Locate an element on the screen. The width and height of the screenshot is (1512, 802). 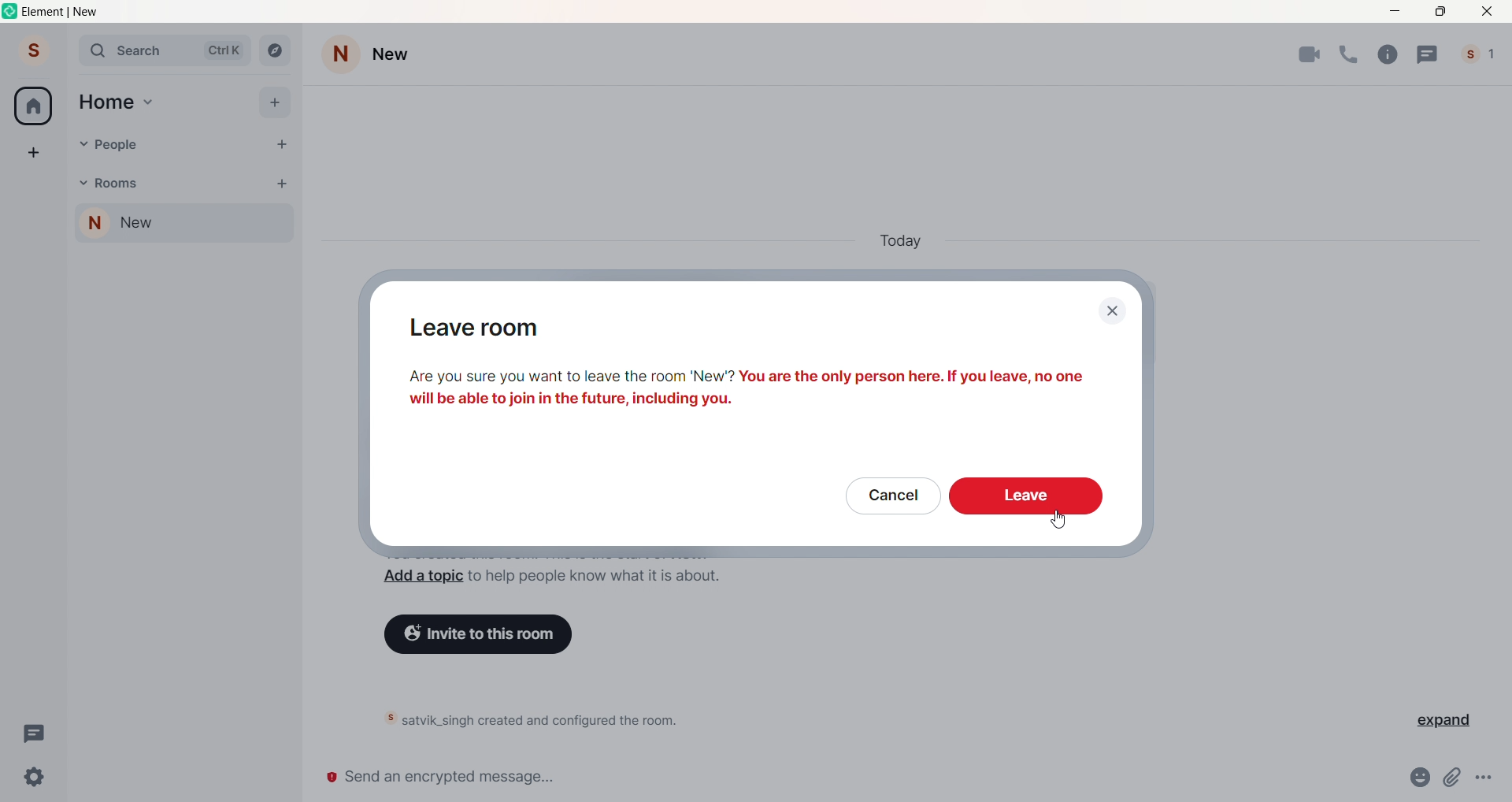
Audio Call is located at coordinates (1352, 54).